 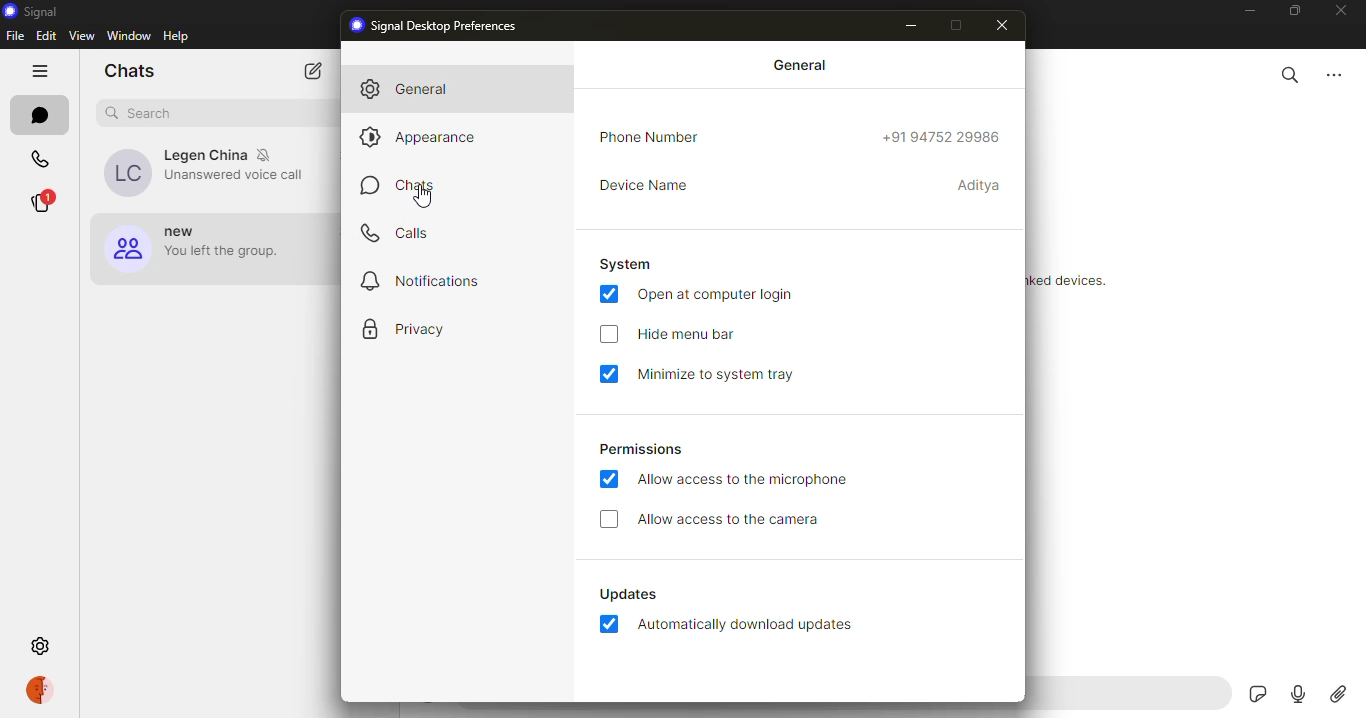 What do you see at coordinates (1290, 75) in the screenshot?
I see `search` at bounding box center [1290, 75].